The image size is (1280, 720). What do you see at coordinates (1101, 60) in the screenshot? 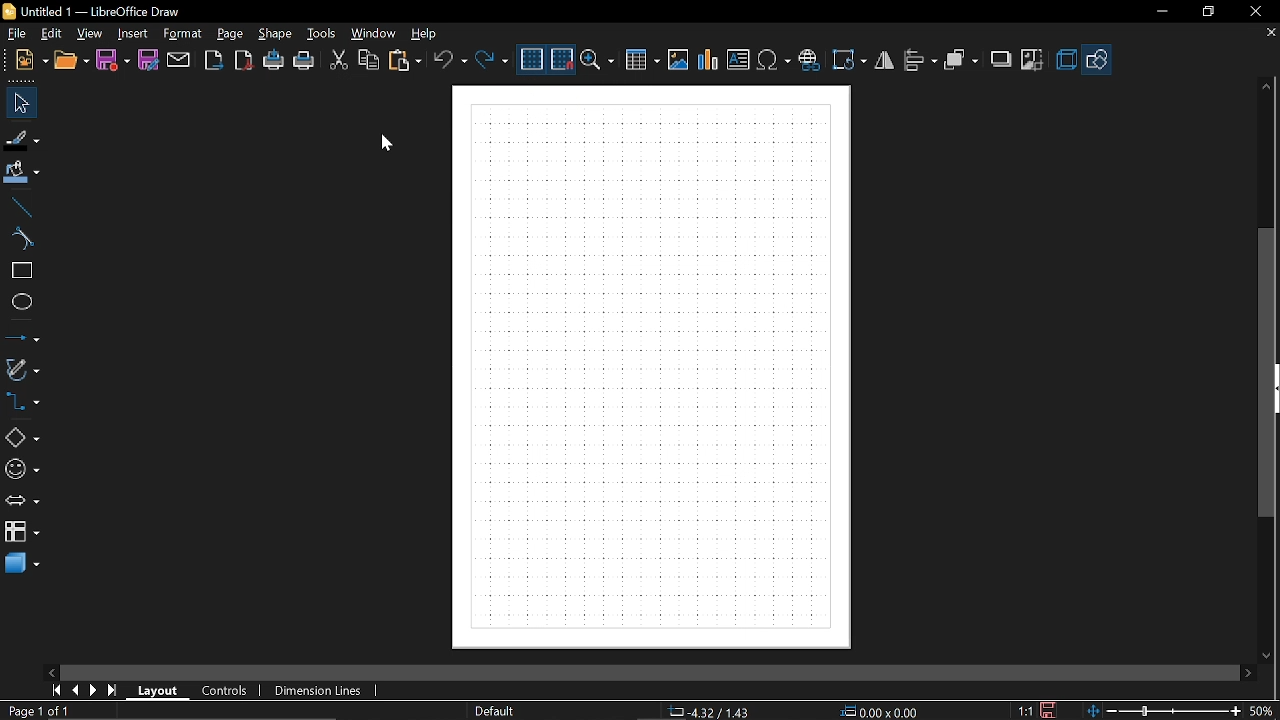
I see `basic shapes` at bounding box center [1101, 60].